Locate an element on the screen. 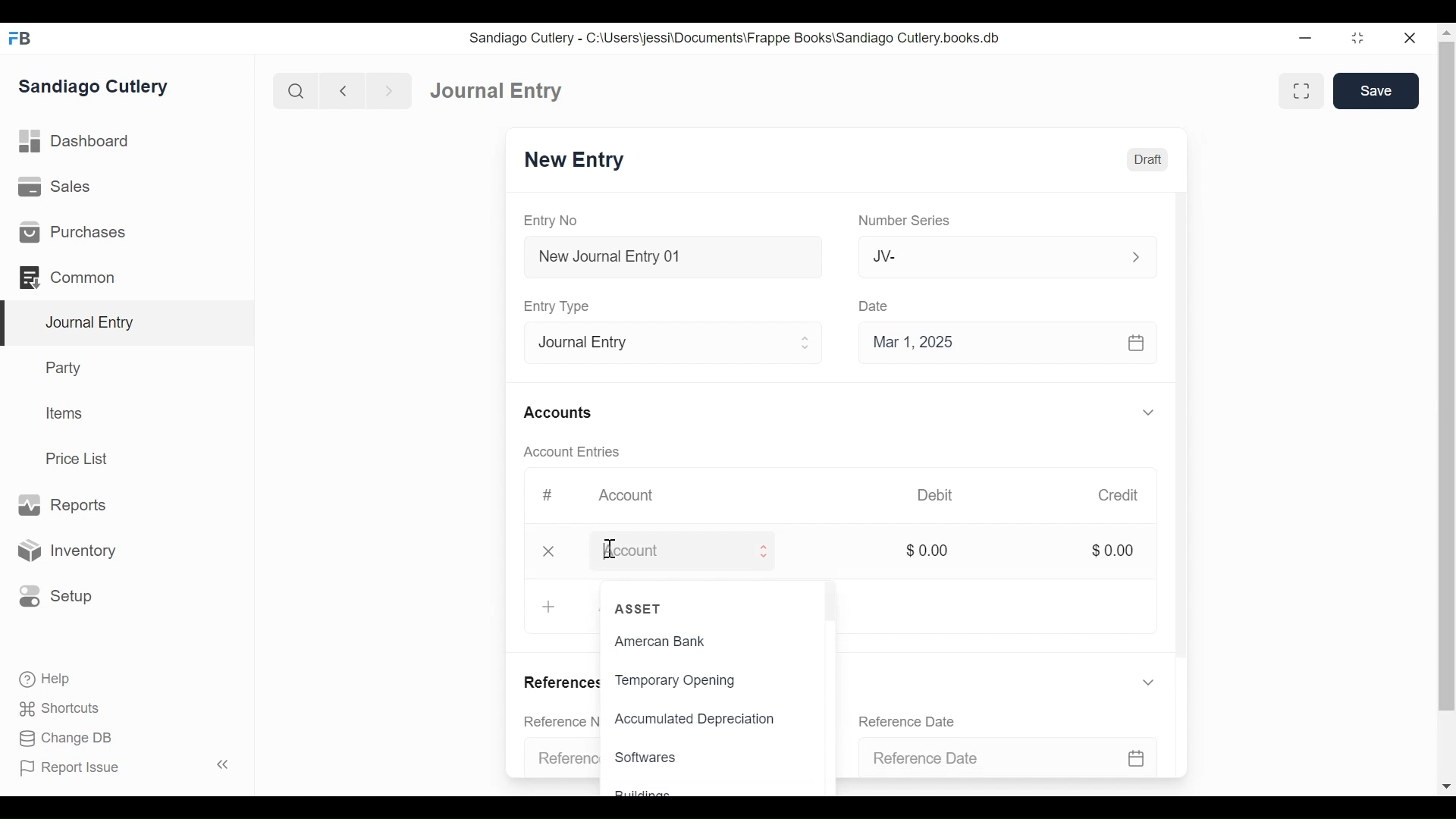 The image size is (1456, 819). search  is located at coordinates (293, 88).